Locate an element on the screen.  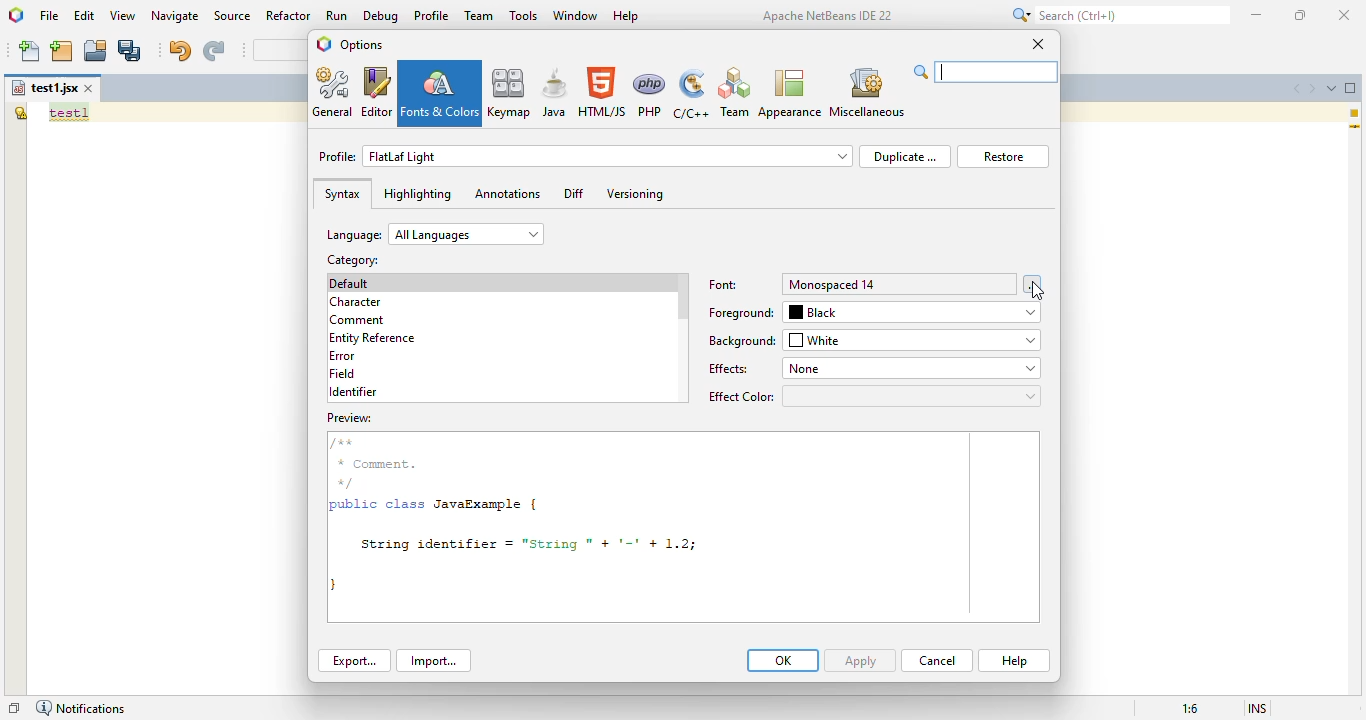
/** is located at coordinates (349, 442).